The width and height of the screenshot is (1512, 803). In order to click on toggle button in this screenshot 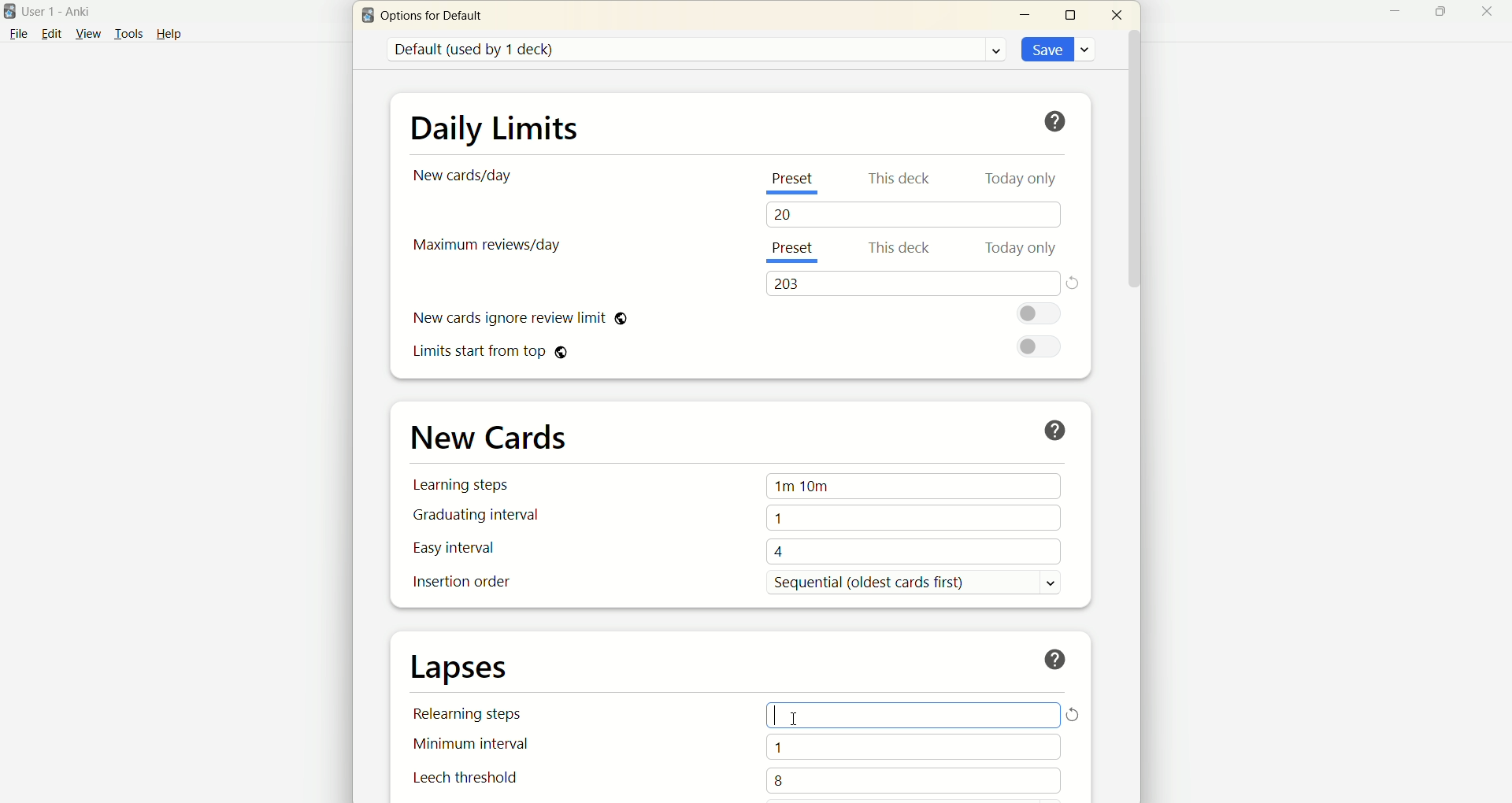, I will do `click(1038, 348)`.